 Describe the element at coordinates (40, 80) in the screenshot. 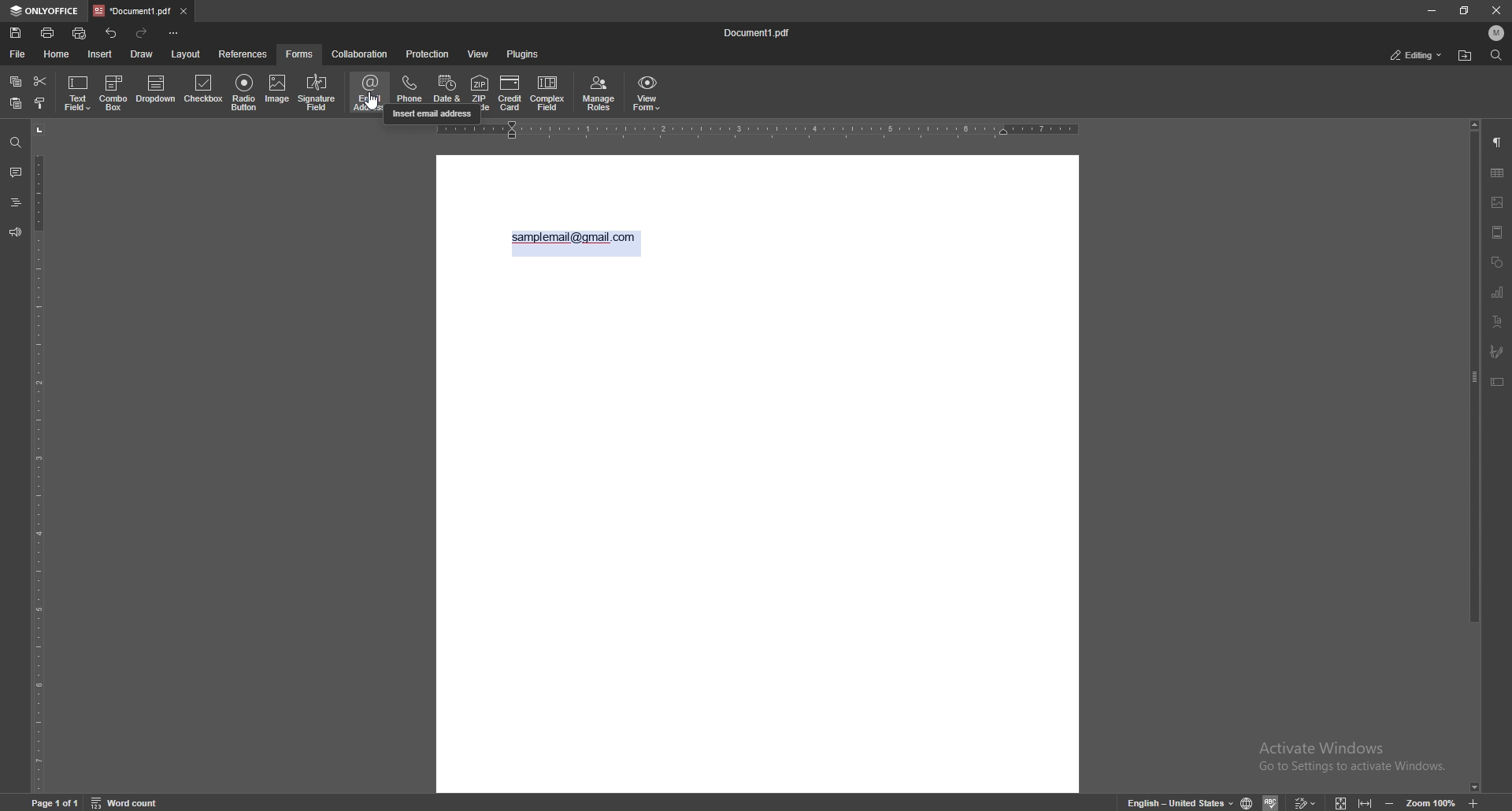

I see `cut` at that location.